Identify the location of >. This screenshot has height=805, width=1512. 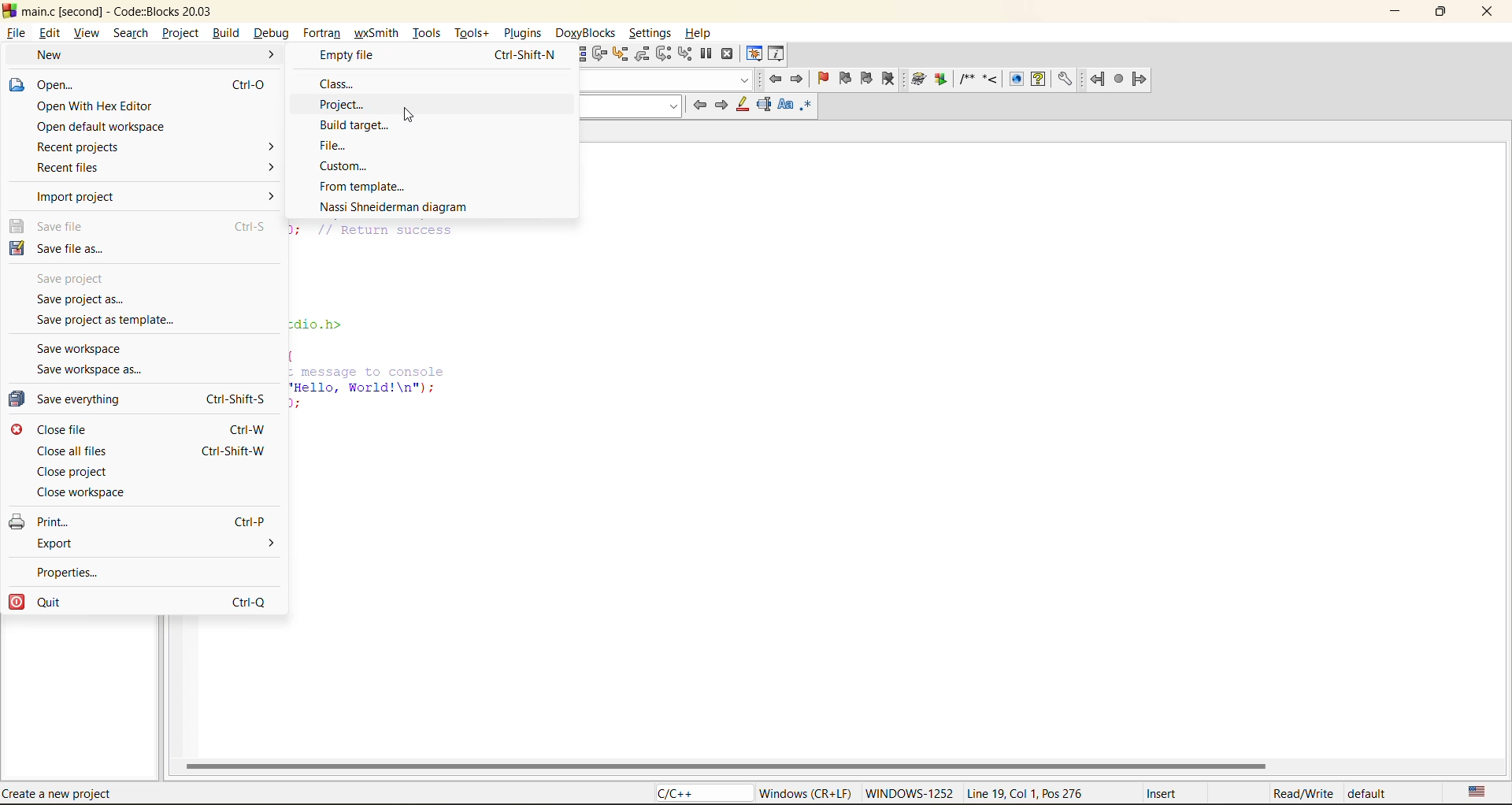
(265, 146).